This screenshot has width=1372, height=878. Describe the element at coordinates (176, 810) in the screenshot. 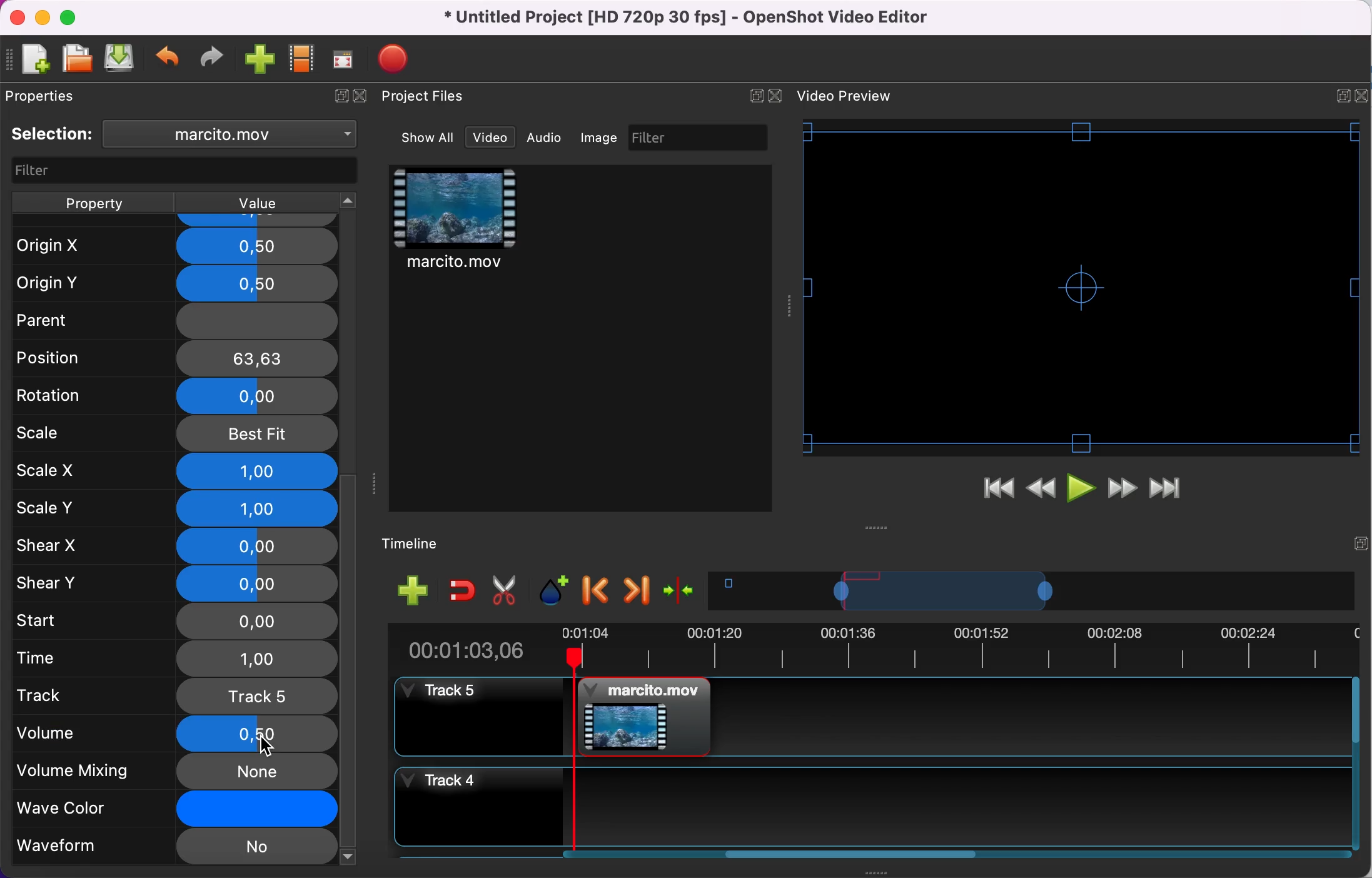

I see `wave color` at that location.